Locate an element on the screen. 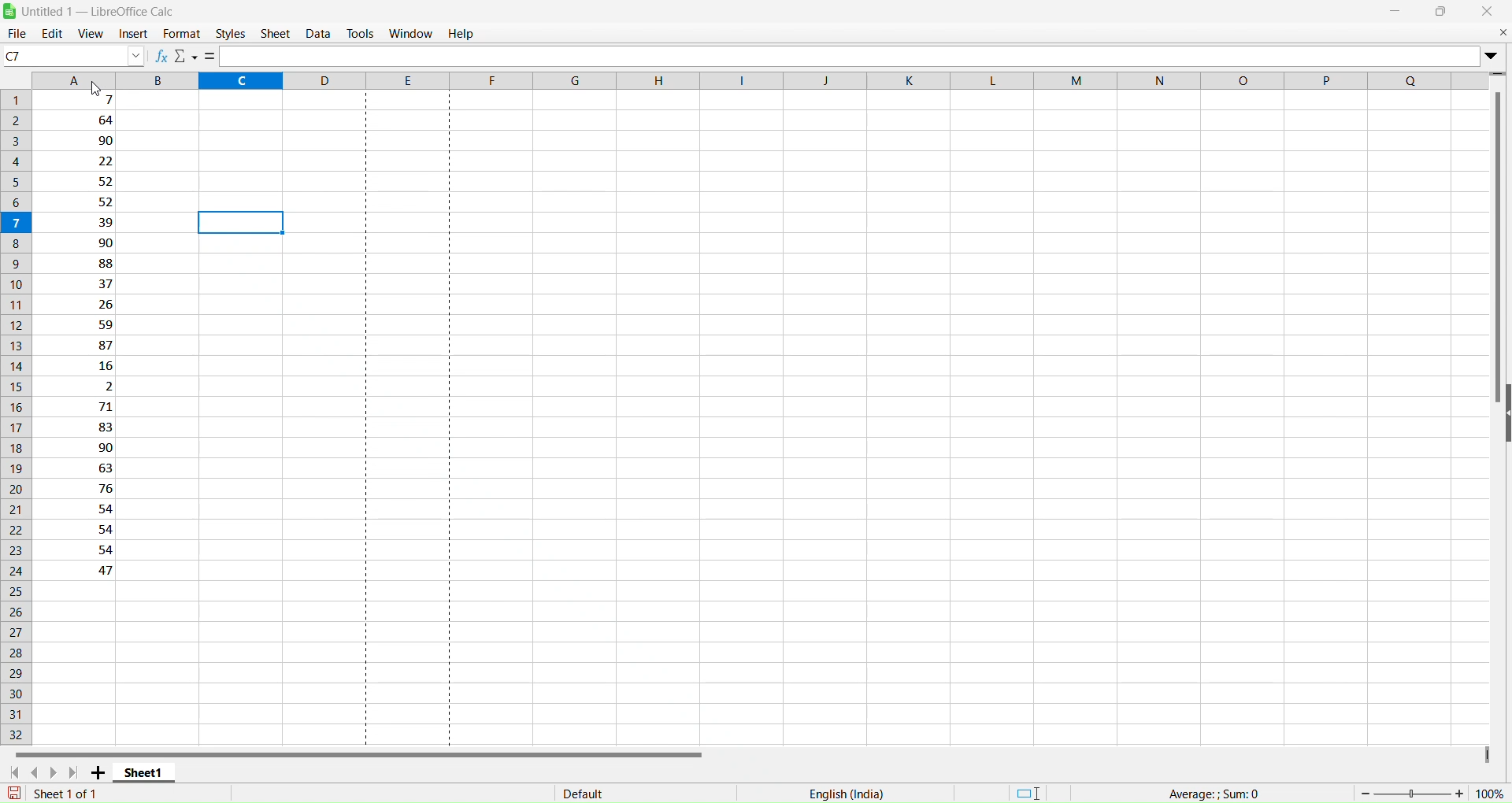  Select Function is located at coordinates (187, 57).